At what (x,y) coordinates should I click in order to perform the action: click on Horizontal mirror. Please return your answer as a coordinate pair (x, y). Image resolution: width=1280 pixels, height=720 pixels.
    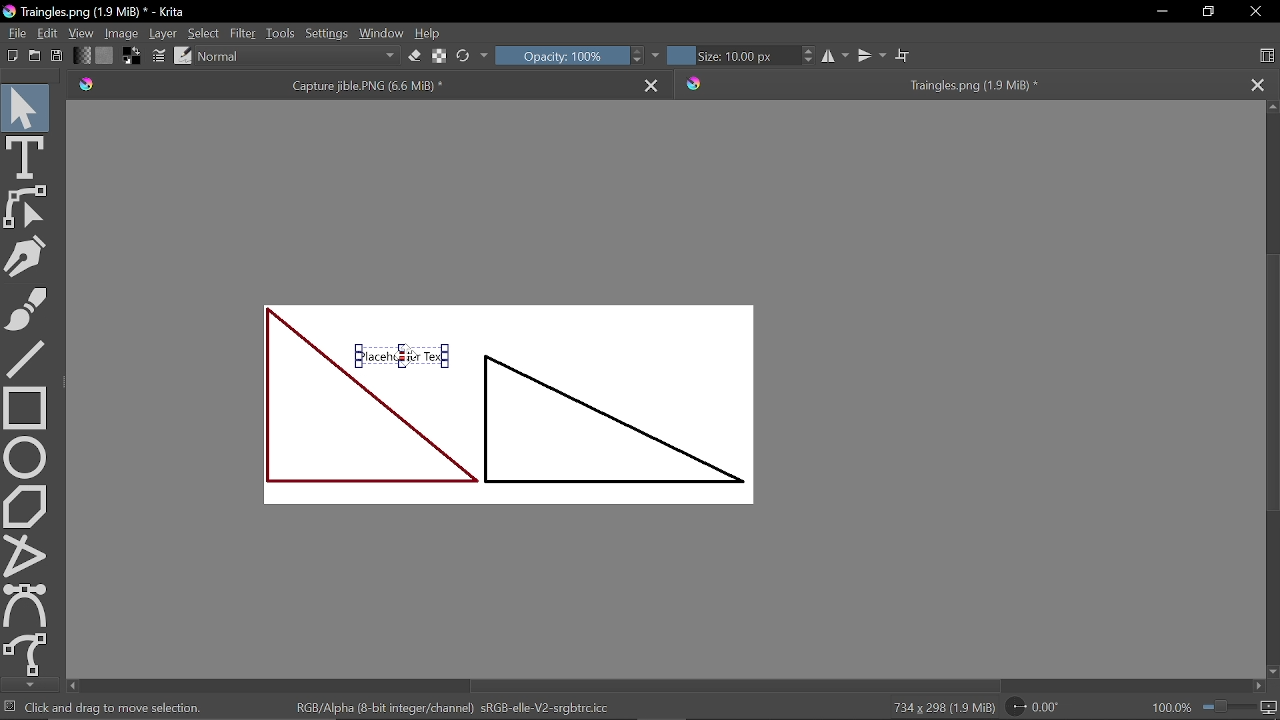
    Looking at the image, I should click on (836, 57).